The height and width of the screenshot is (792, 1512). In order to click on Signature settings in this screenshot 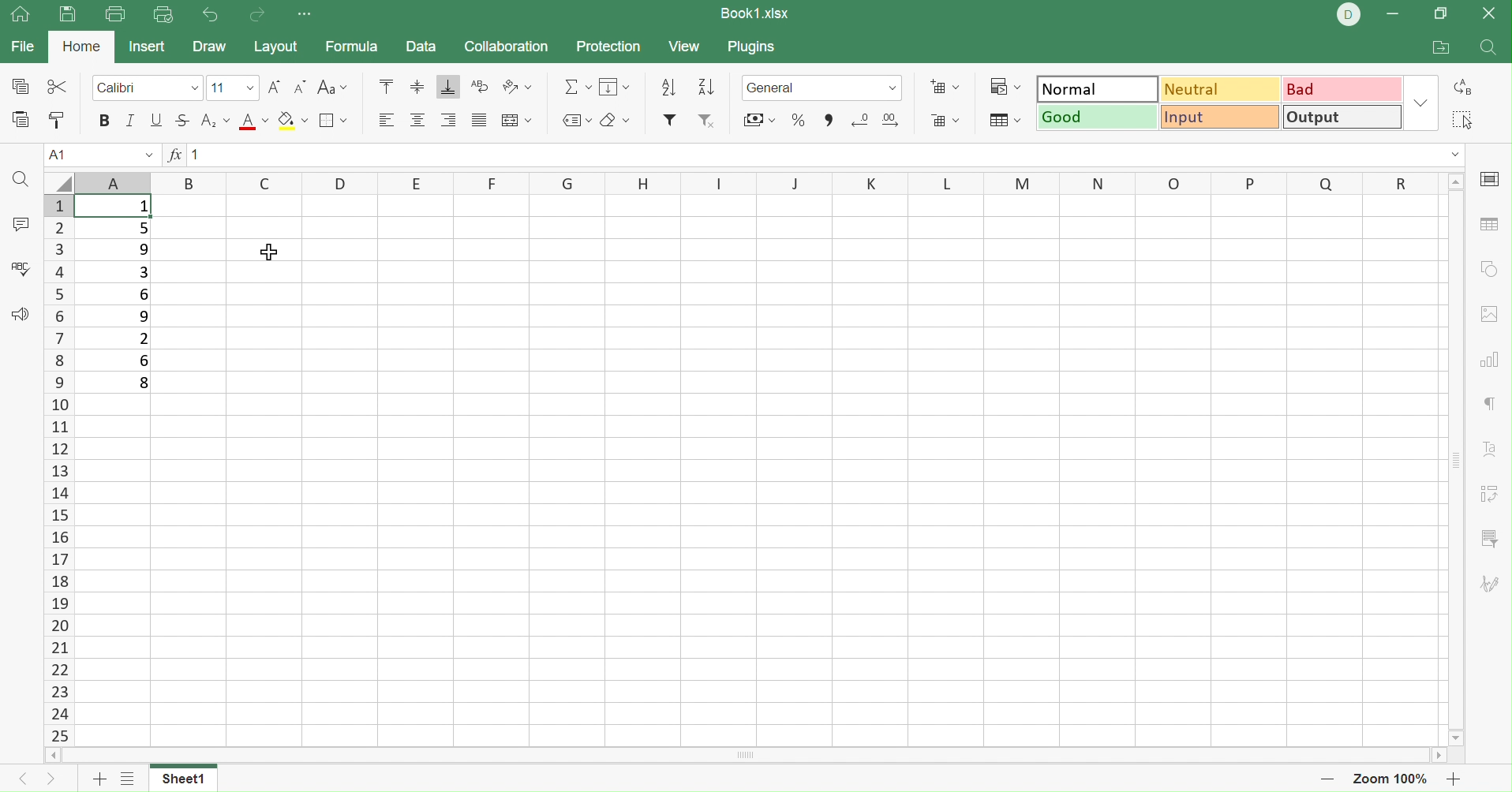, I will do `click(1493, 581)`.